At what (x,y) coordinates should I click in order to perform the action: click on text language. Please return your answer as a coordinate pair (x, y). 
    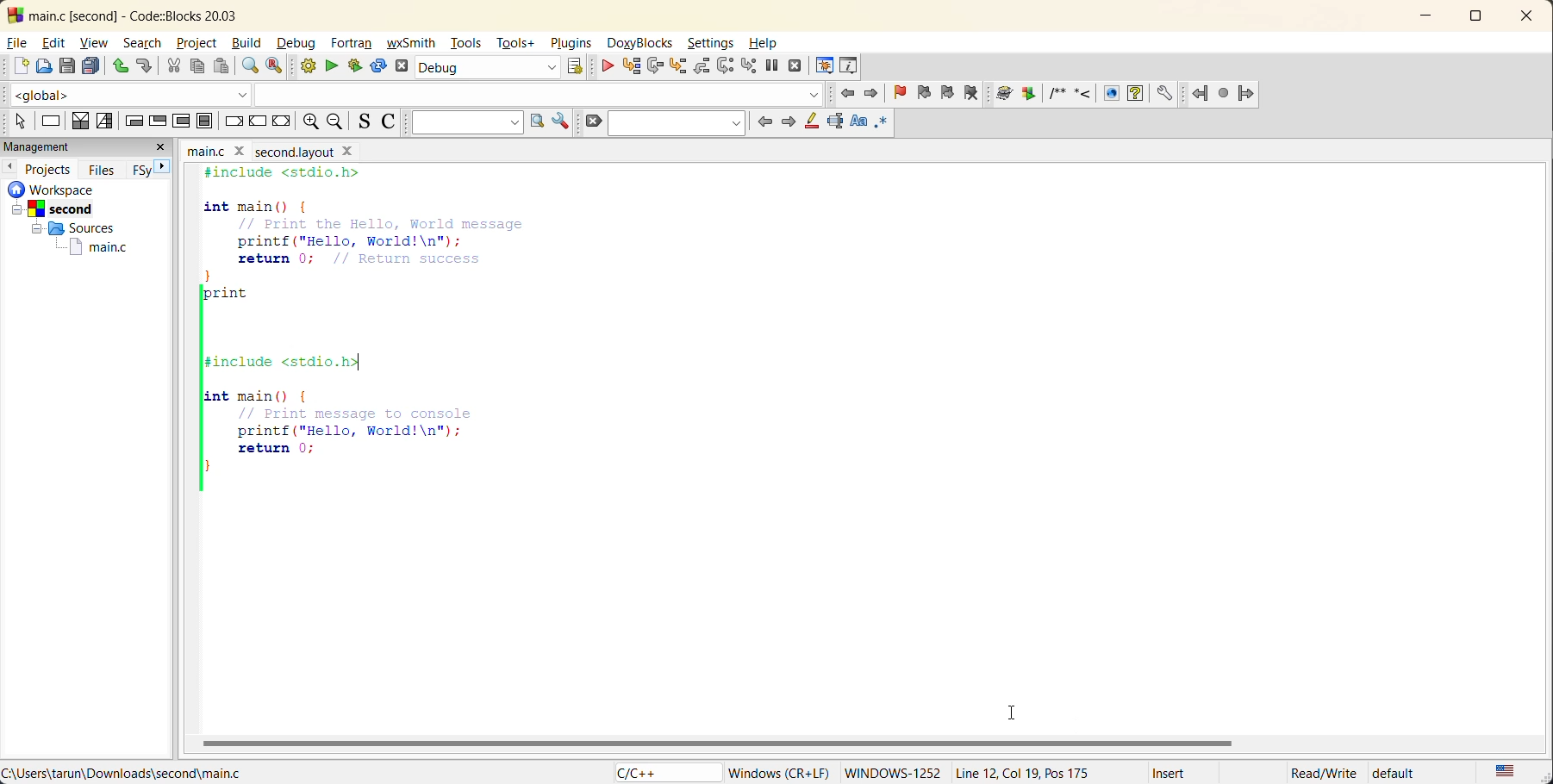
    Looking at the image, I should click on (1505, 772).